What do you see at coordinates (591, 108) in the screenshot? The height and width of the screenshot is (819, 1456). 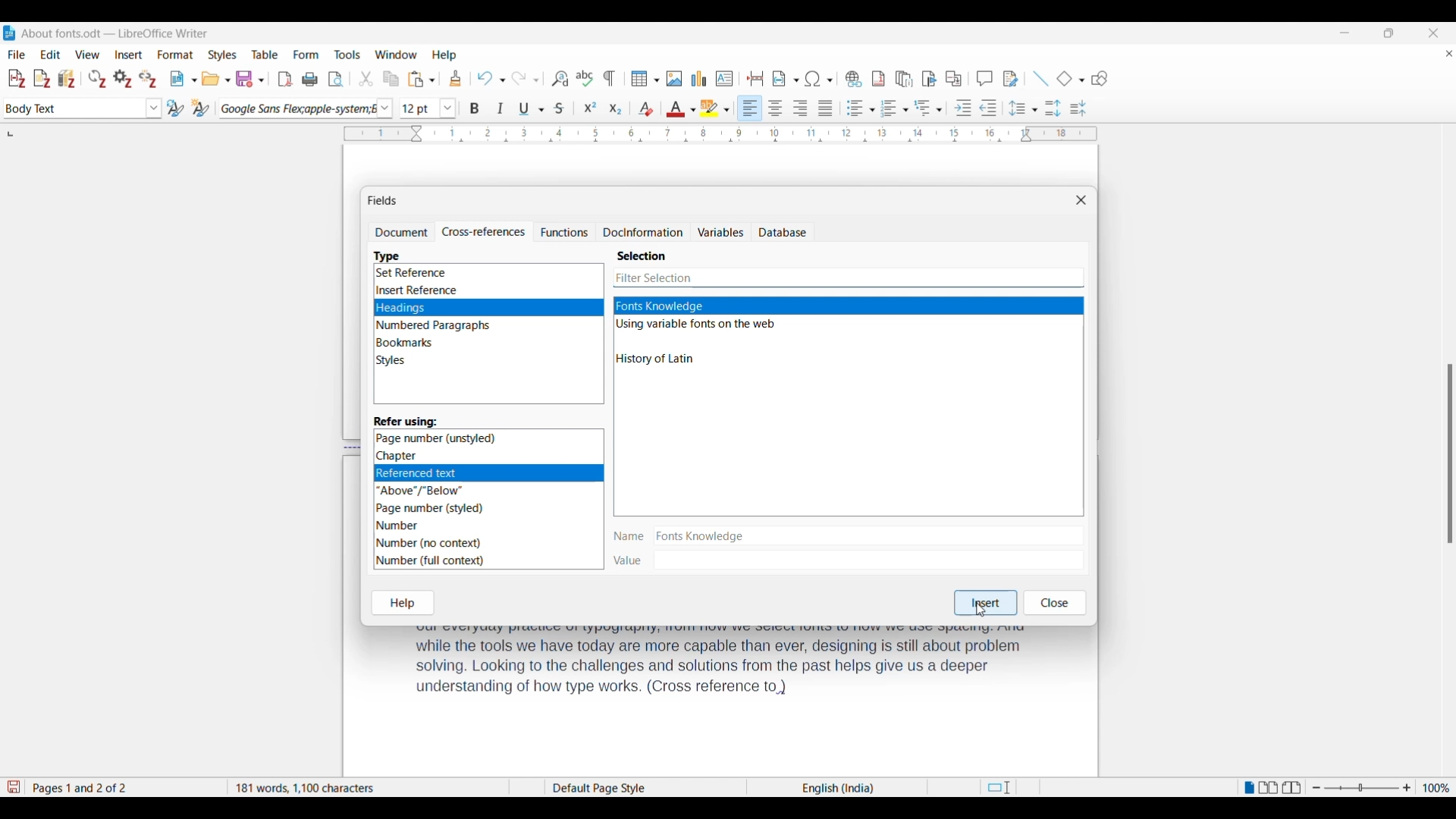 I see `Superscript` at bounding box center [591, 108].